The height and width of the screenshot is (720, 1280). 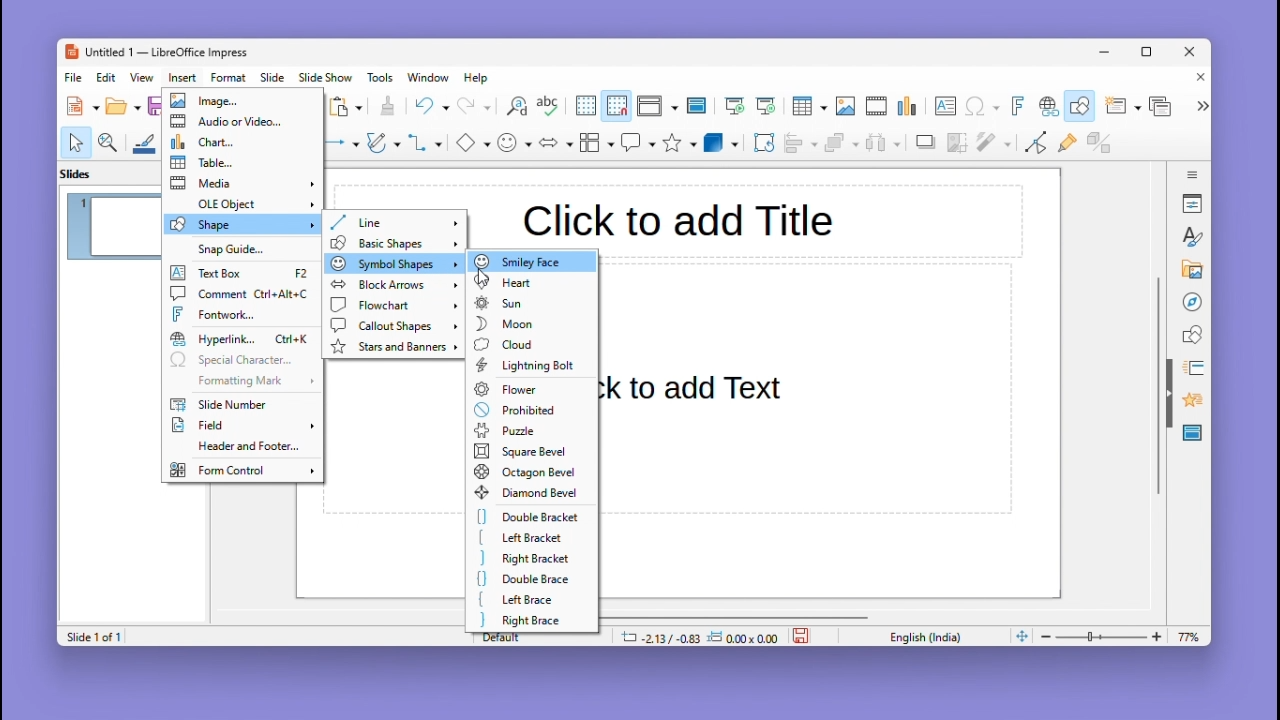 I want to click on Content, so click(x=705, y=387).